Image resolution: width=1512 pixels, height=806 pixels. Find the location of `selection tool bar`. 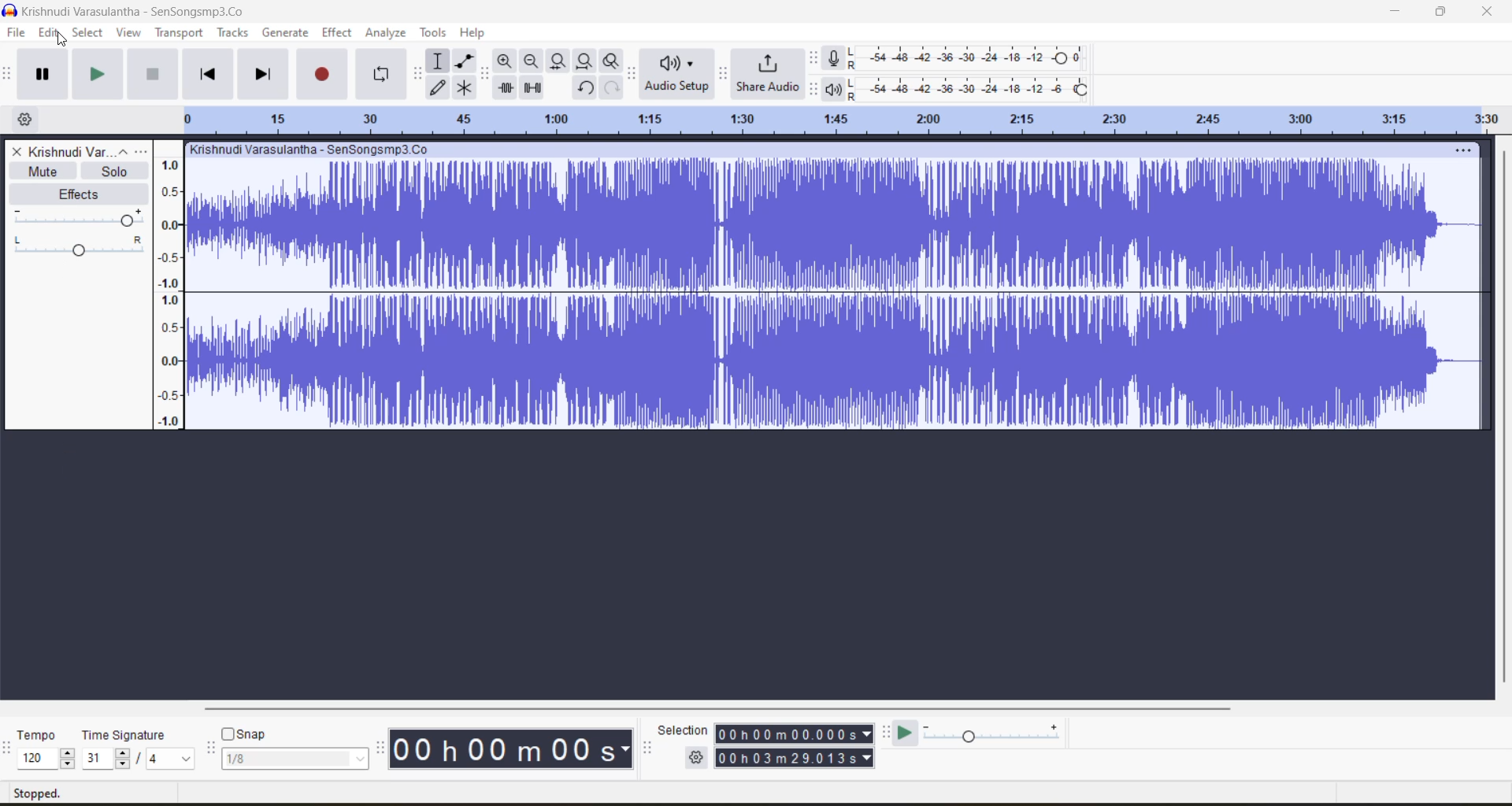

selection tool bar is located at coordinates (647, 749).